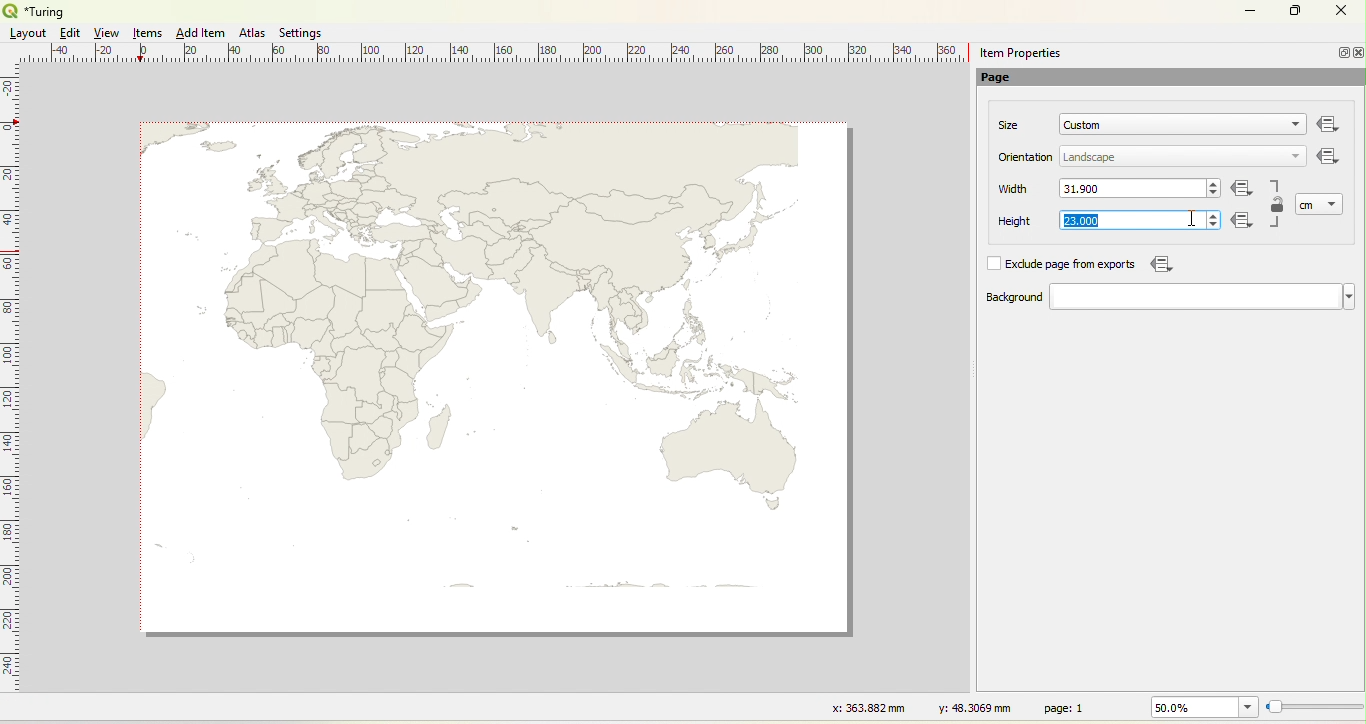  What do you see at coordinates (1088, 188) in the screenshot?
I see `31.900` at bounding box center [1088, 188].